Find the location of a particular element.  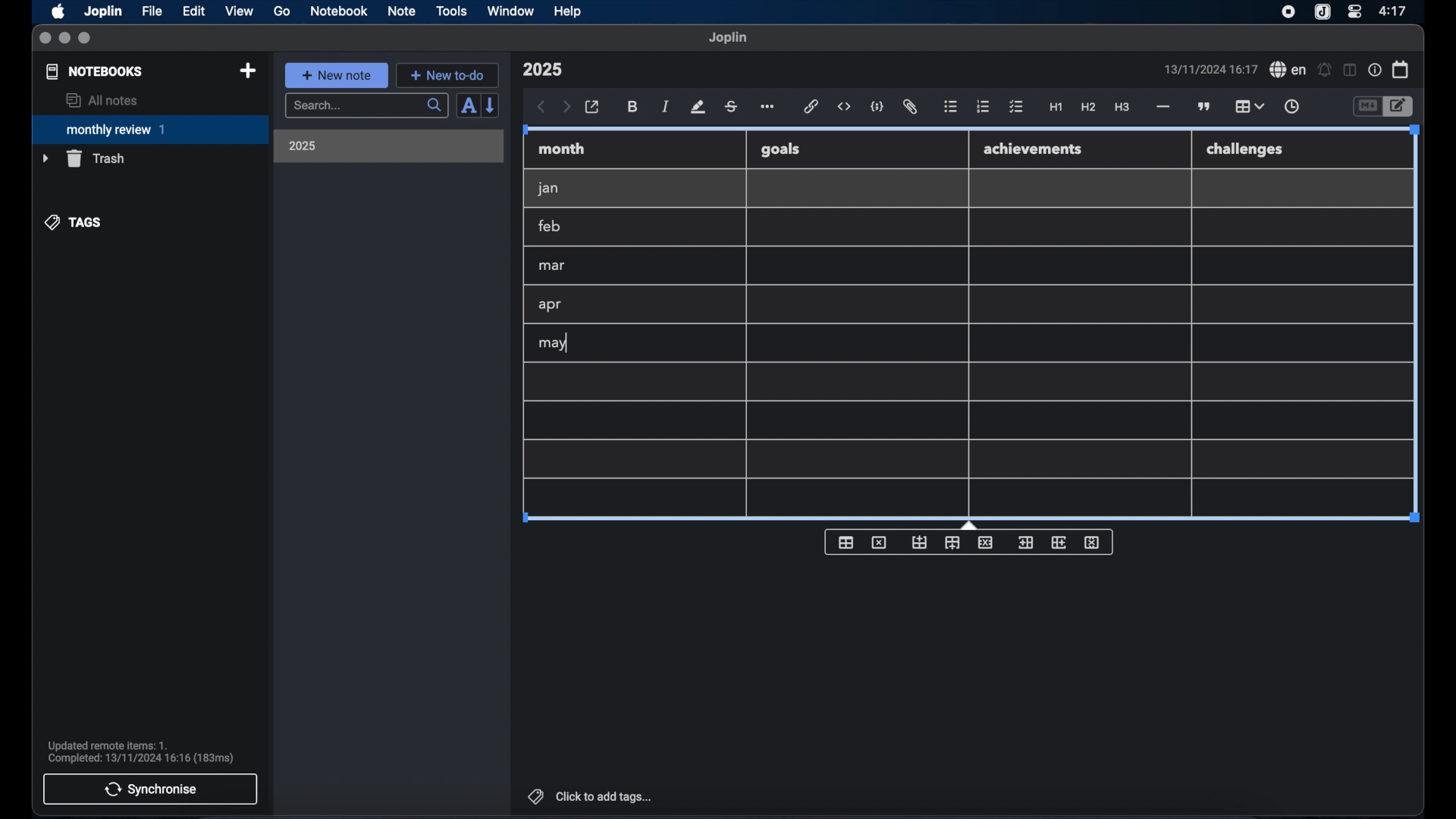

go is located at coordinates (282, 11).